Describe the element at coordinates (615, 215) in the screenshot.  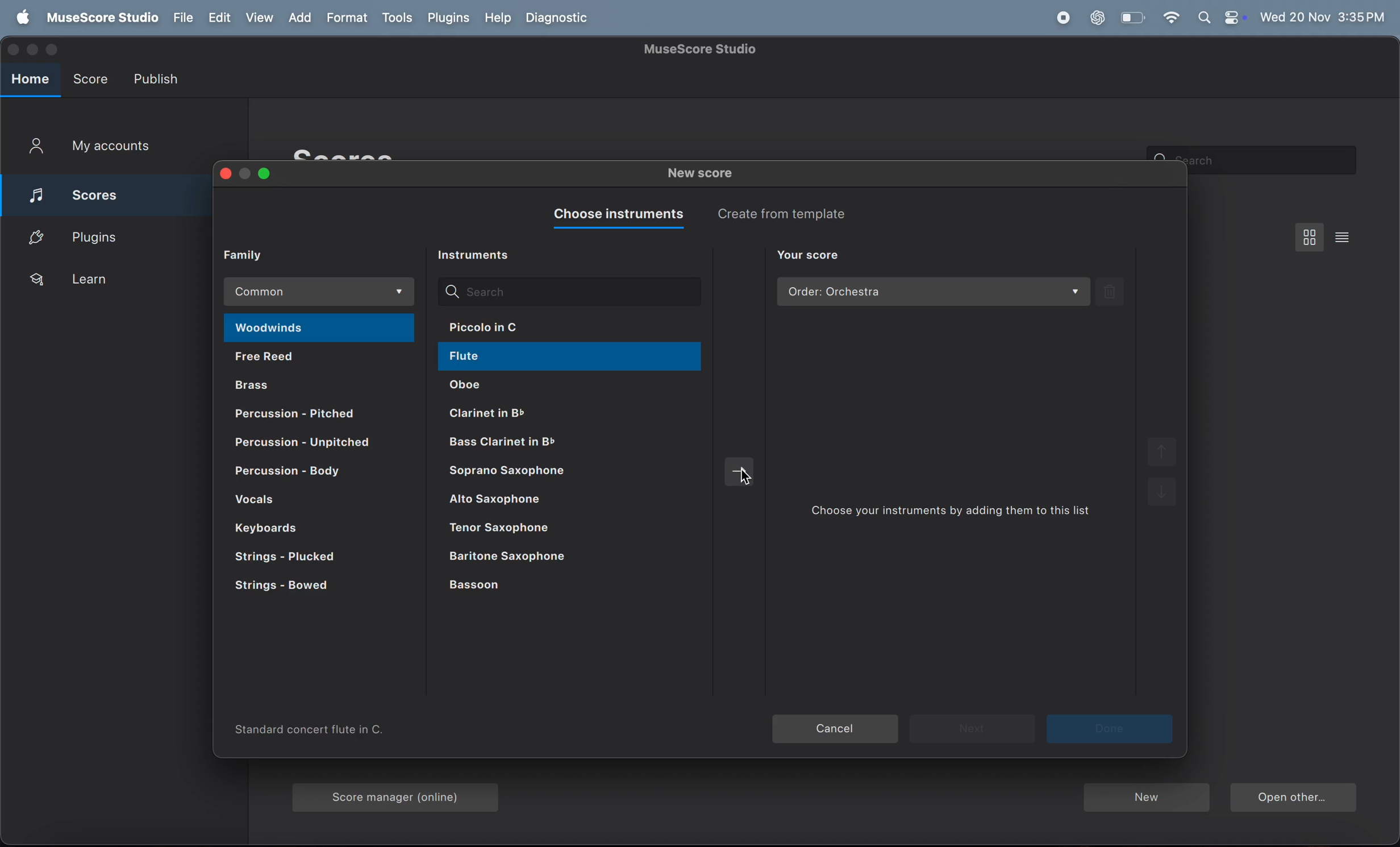
I see `choose instrument` at that location.